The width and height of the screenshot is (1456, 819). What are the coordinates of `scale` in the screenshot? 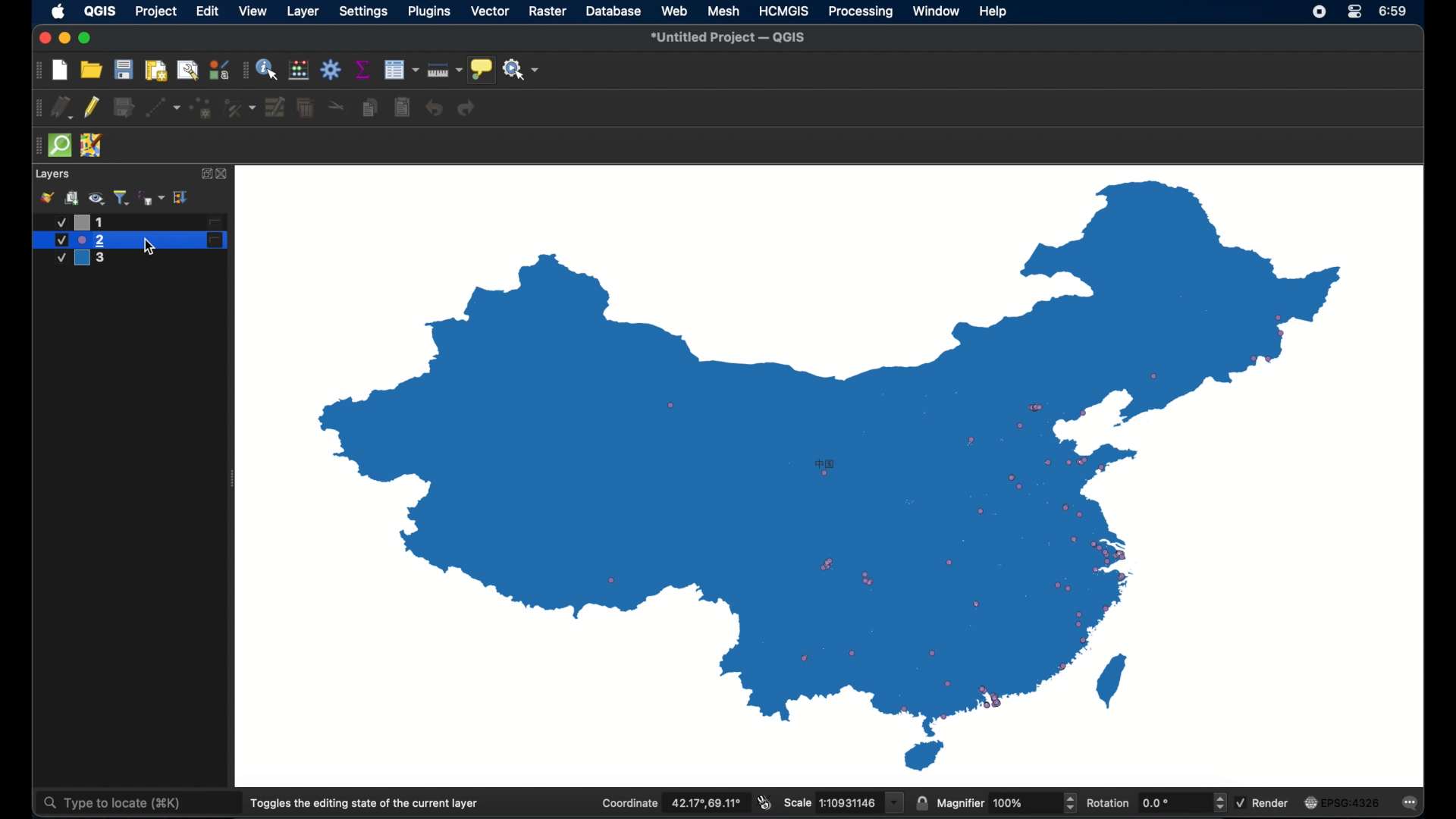 It's located at (844, 804).